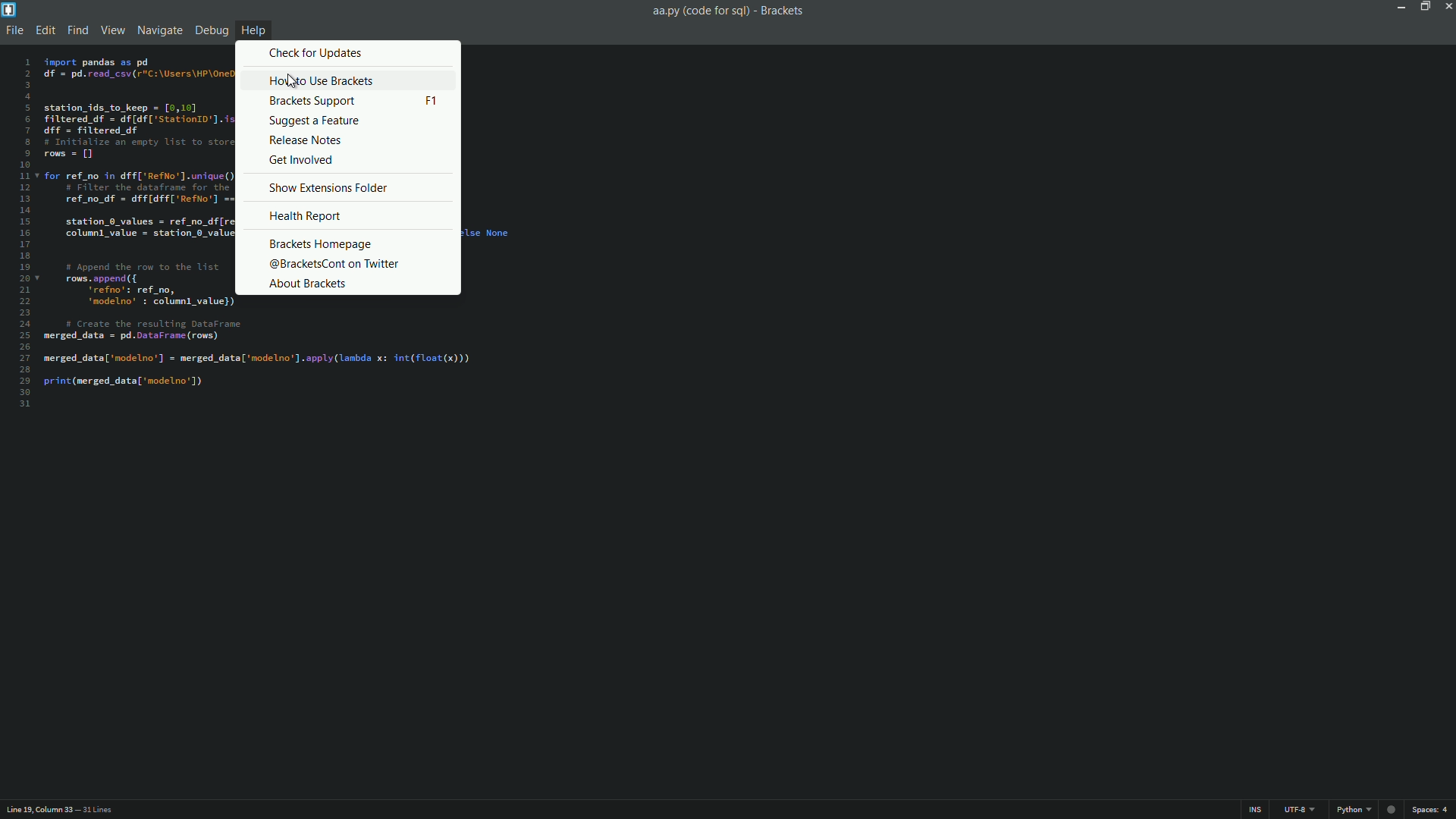 The height and width of the screenshot is (819, 1456). Describe the element at coordinates (253, 30) in the screenshot. I see `help menu` at that location.